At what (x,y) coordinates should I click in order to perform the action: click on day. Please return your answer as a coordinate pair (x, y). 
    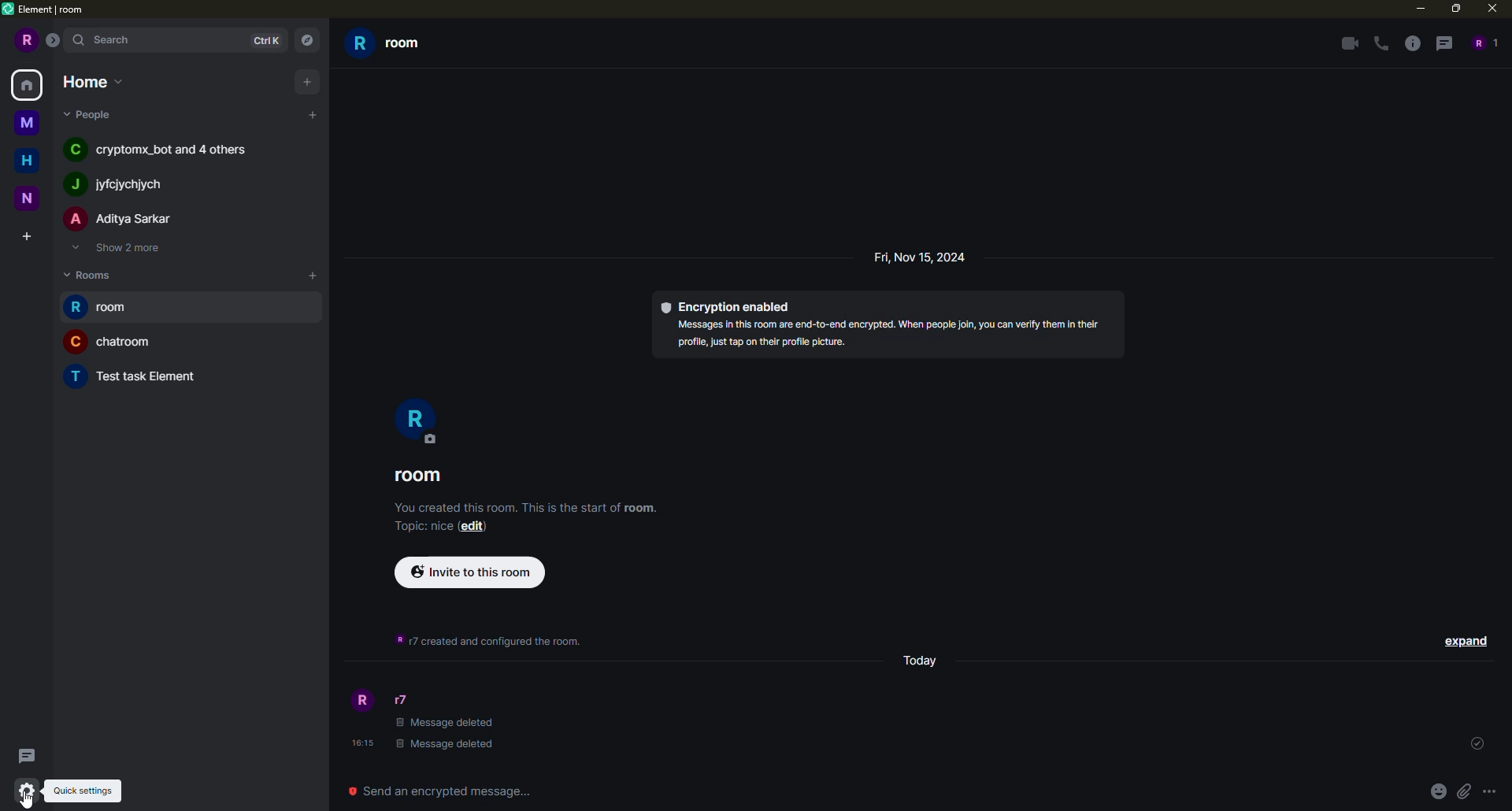
    Looking at the image, I should click on (921, 257).